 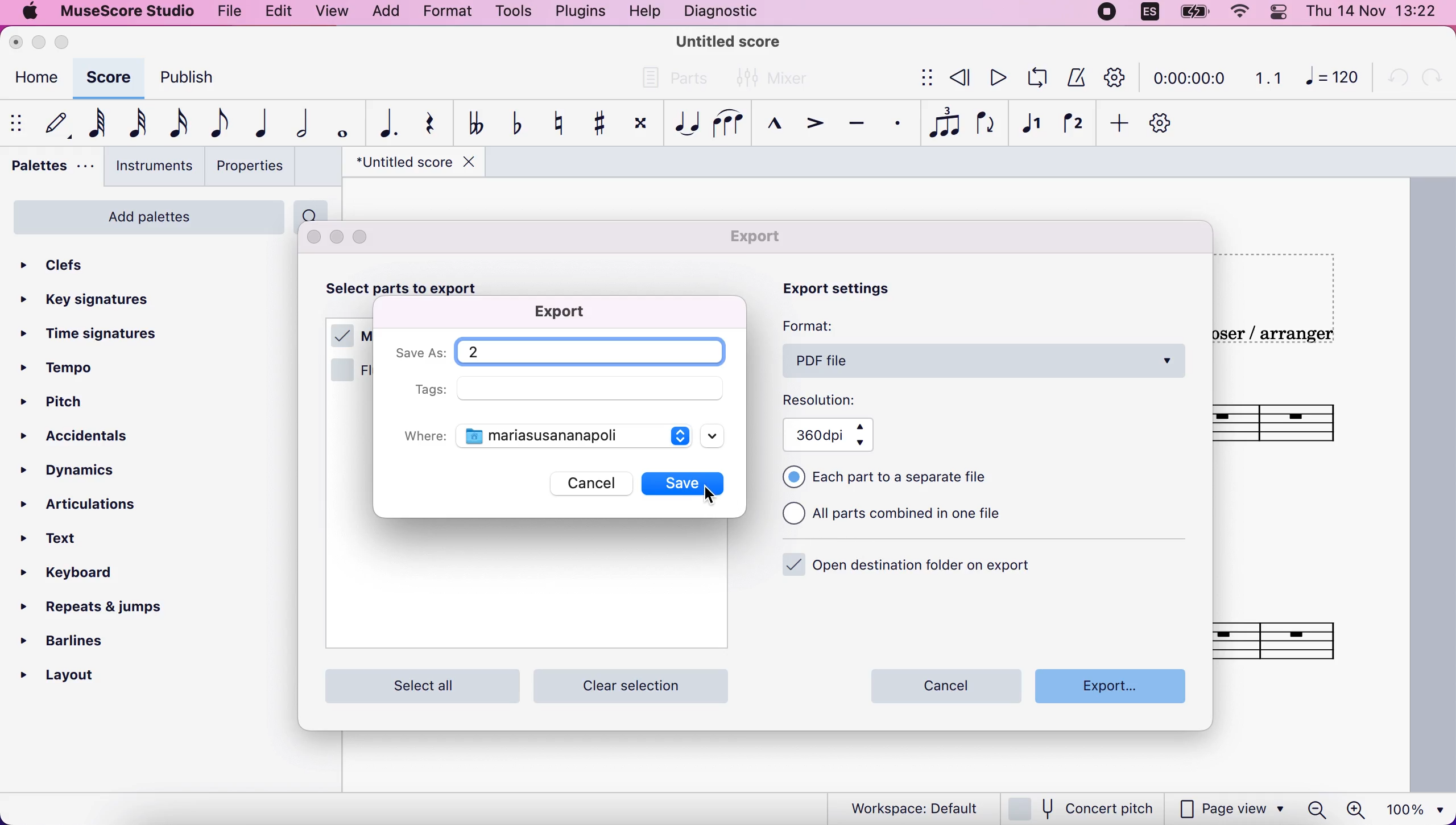 What do you see at coordinates (778, 77) in the screenshot?
I see `mixer` at bounding box center [778, 77].